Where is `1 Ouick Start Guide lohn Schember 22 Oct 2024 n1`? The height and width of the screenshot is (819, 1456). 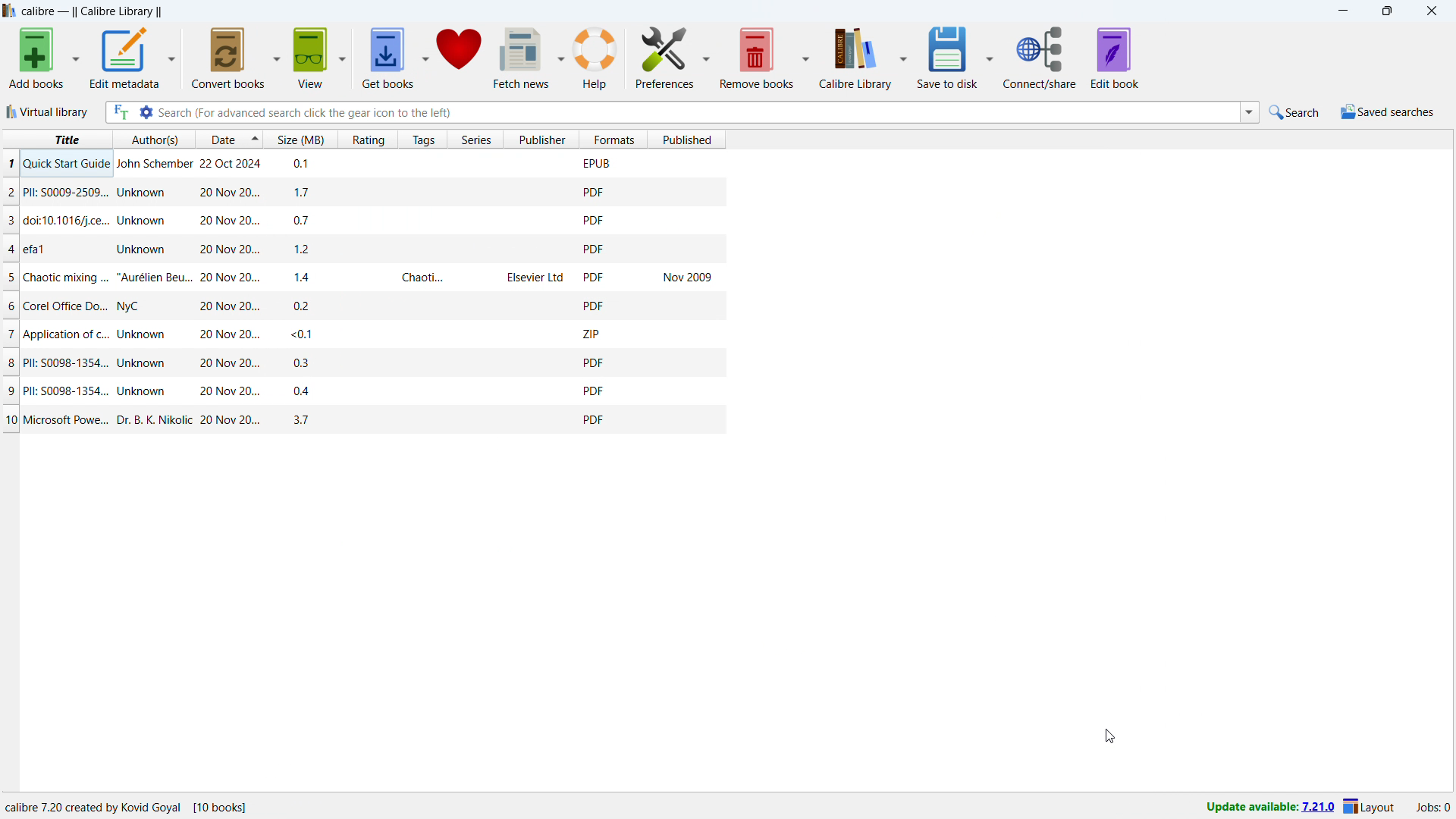 1 Ouick Start Guide lohn Schember 22 Oct 2024 n1 is located at coordinates (334, 162).